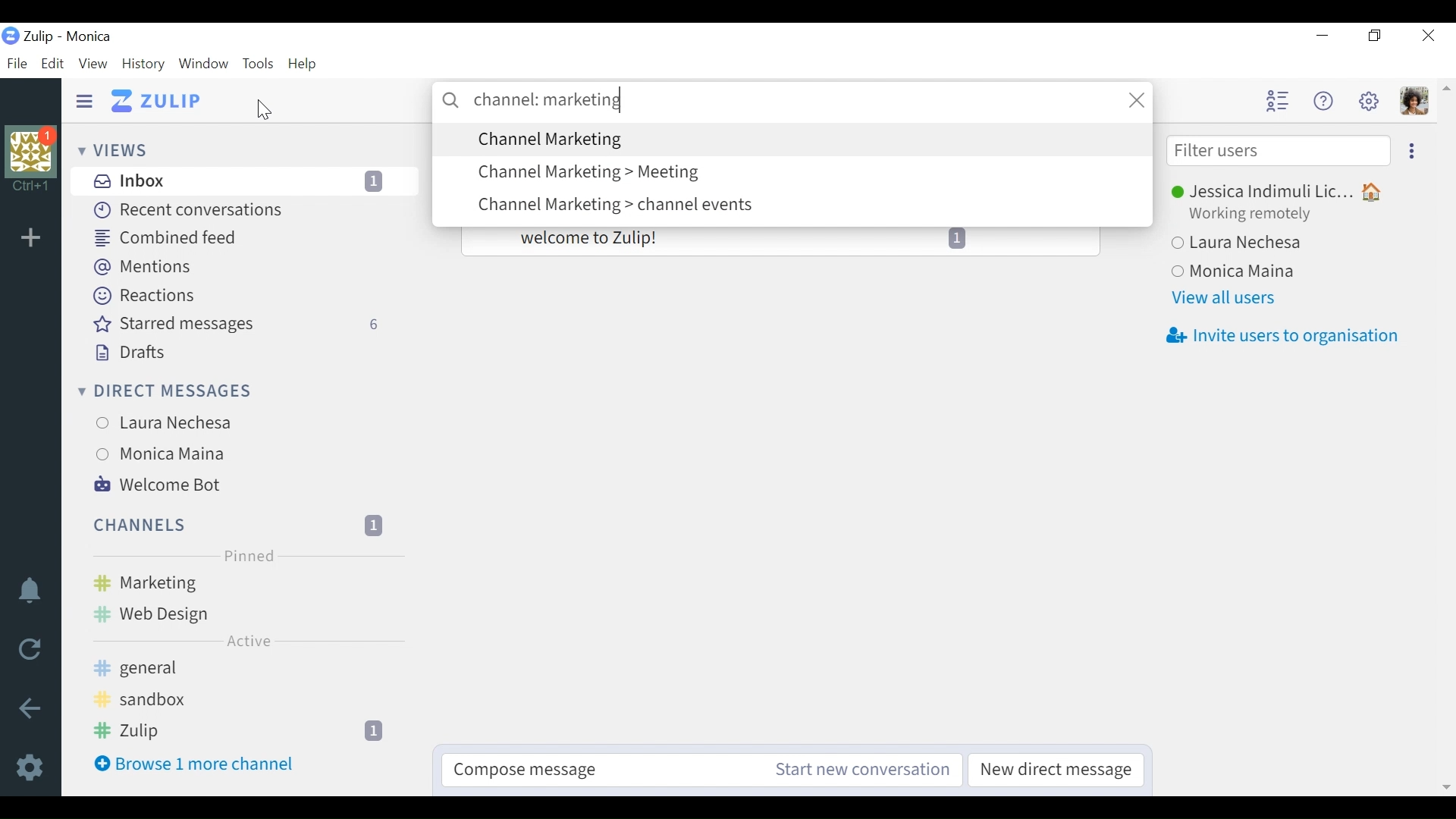  I want to click on Channel, so click(244, 584).